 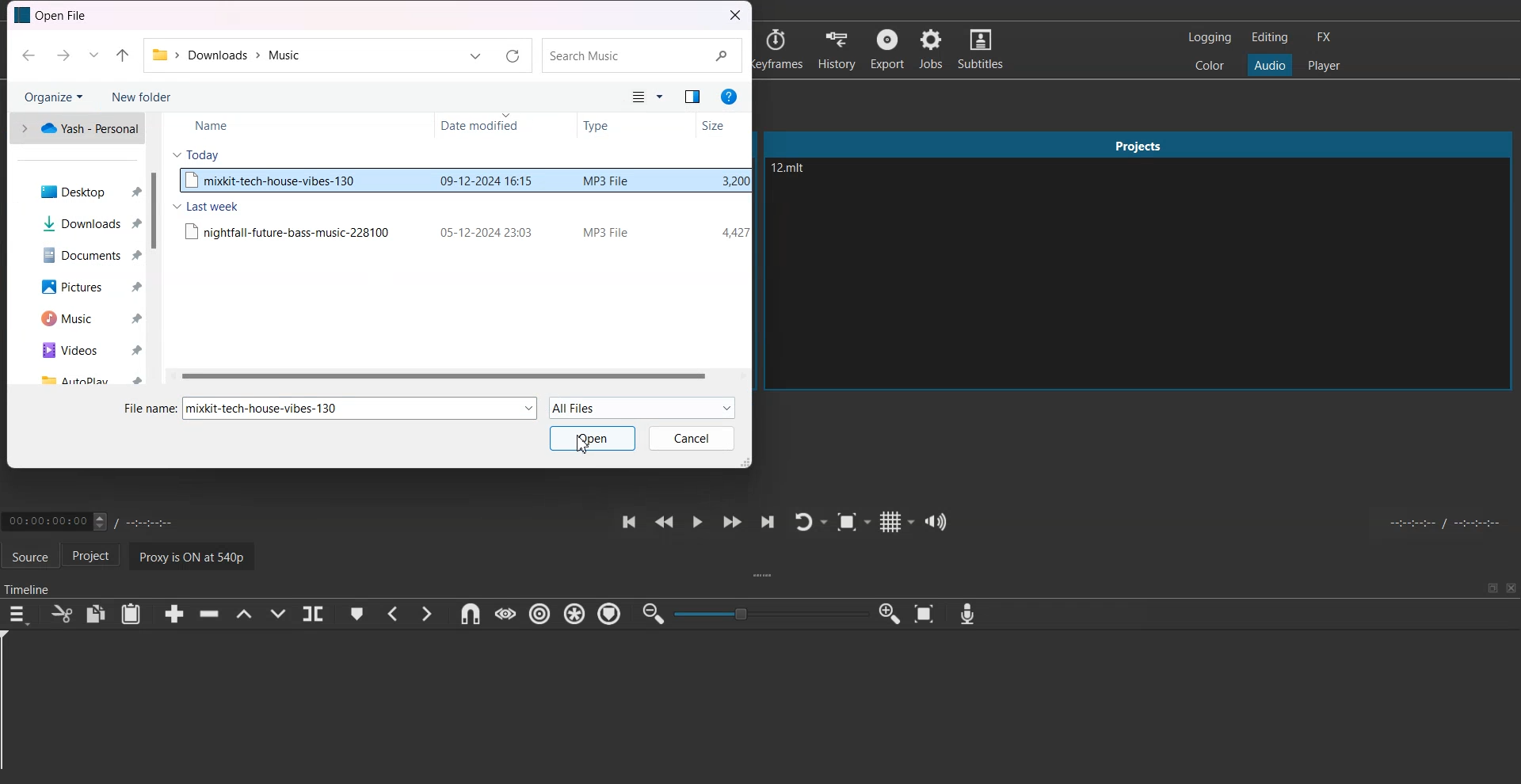 What do you see at coordinates (82, 288) in the screenshot?
I see `Pictures` at bounding box center [82, 288].